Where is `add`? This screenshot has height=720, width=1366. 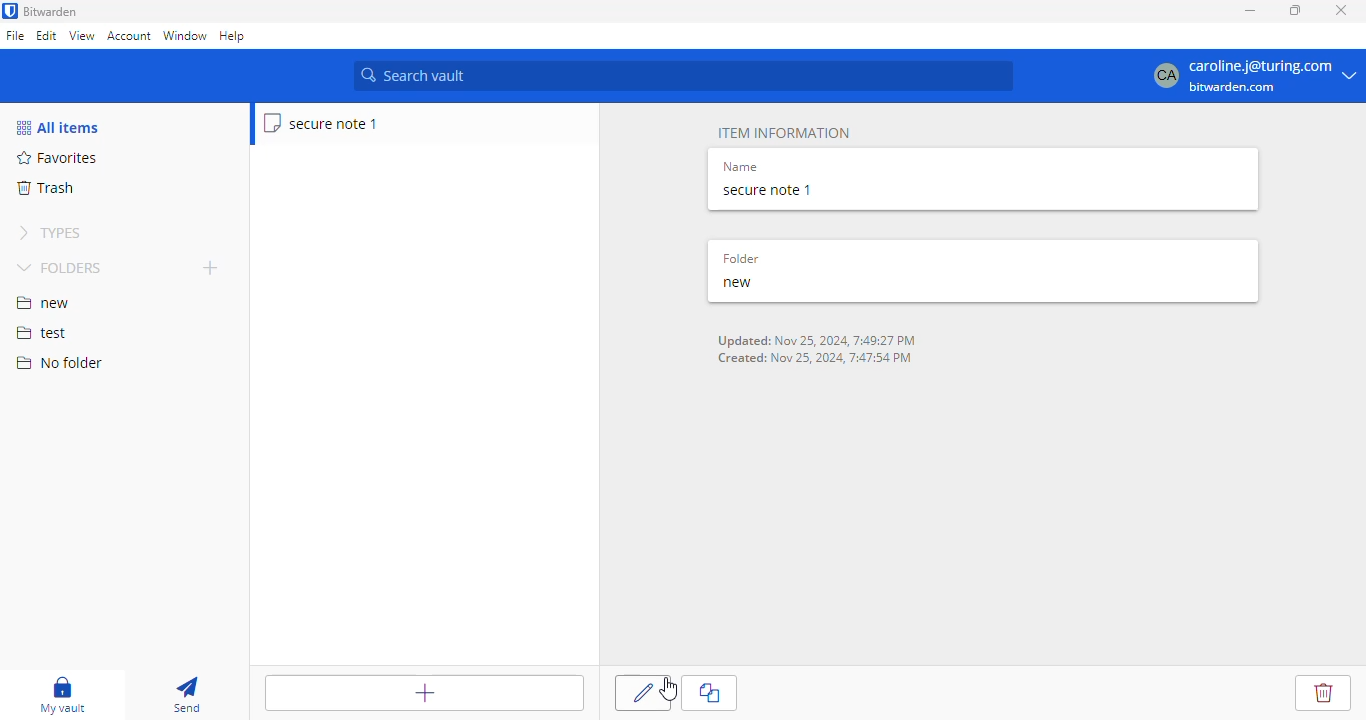
add is located at coordinates (211, 267).